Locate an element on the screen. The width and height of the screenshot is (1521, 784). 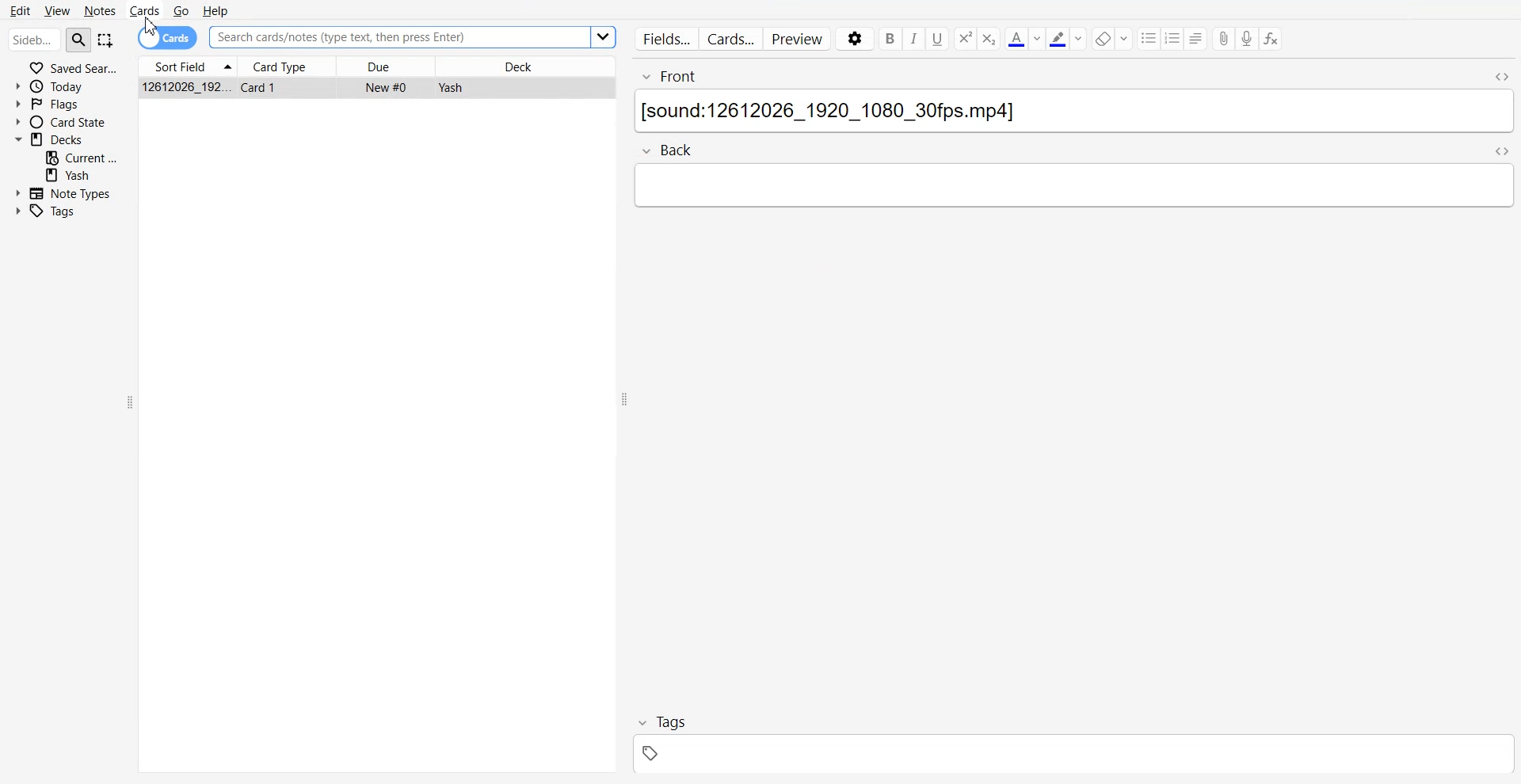
Search bar is located at coordinates (34, 41).